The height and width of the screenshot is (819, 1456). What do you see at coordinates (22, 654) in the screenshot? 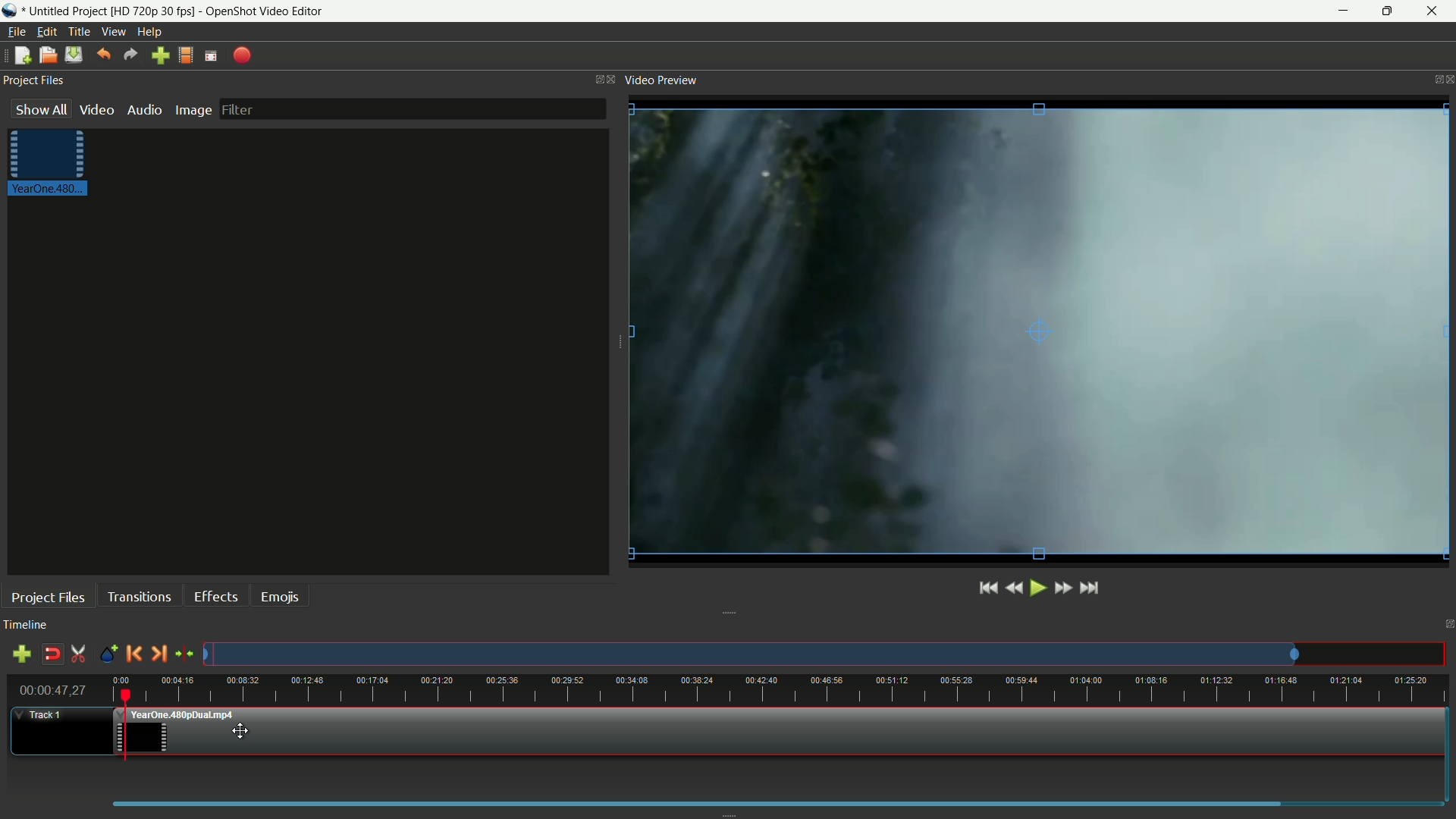
I see `add track` at bounding box center [22, 654].